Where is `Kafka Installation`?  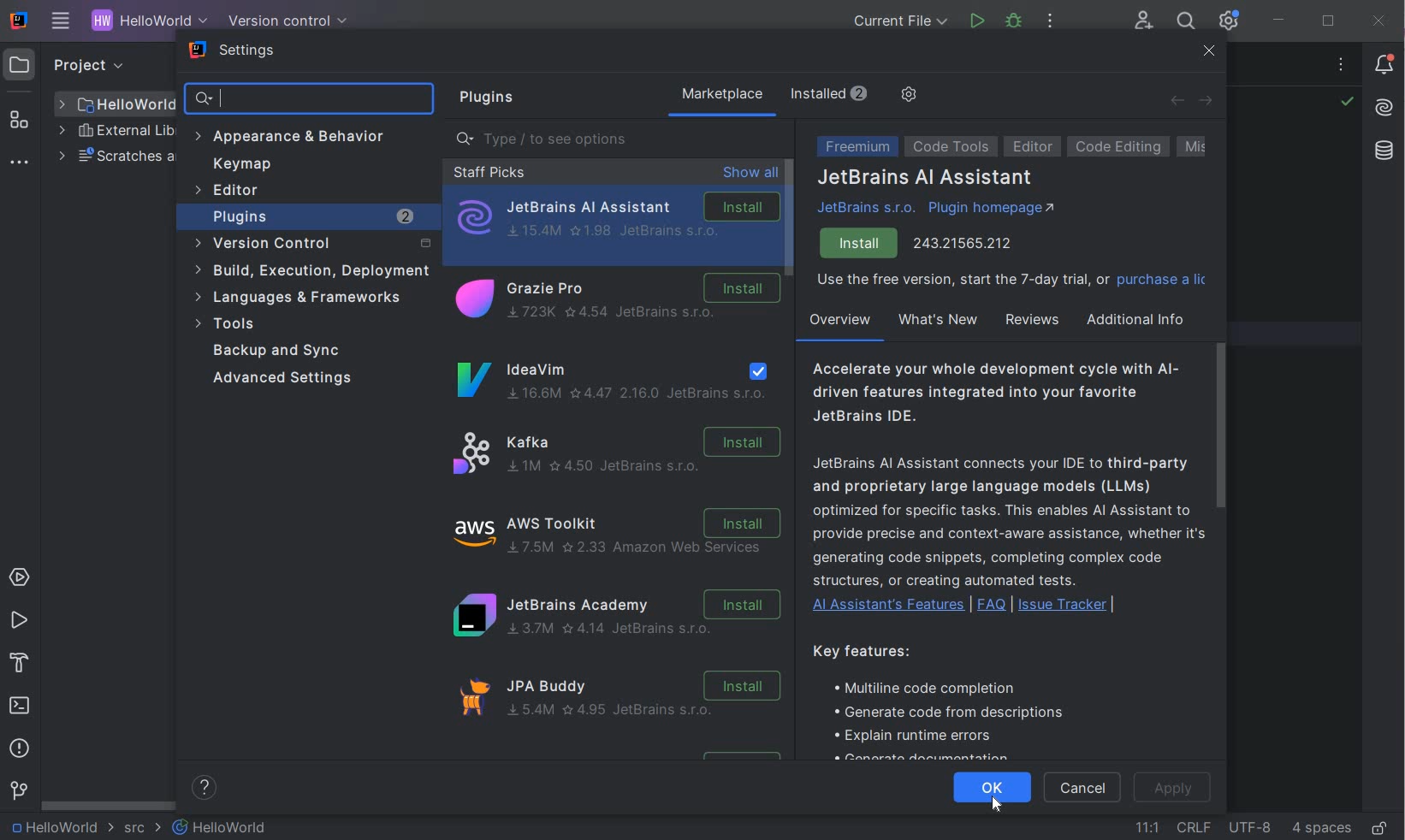 Kafka Installation is located at coordinates (620, 451).